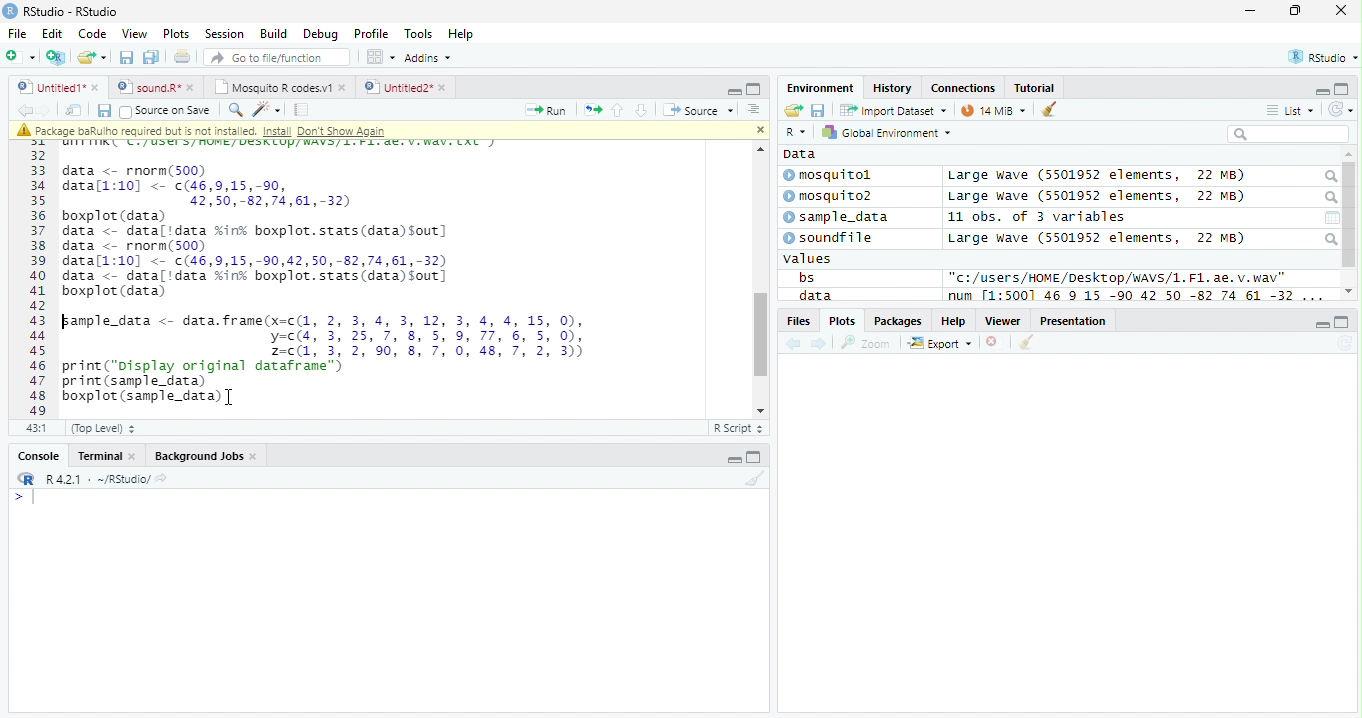 The image size is (1362, 718). What do you see at coordinates (405, 88) in the screenshot?
I see `Untitled2` at bounding box center [405, 88].